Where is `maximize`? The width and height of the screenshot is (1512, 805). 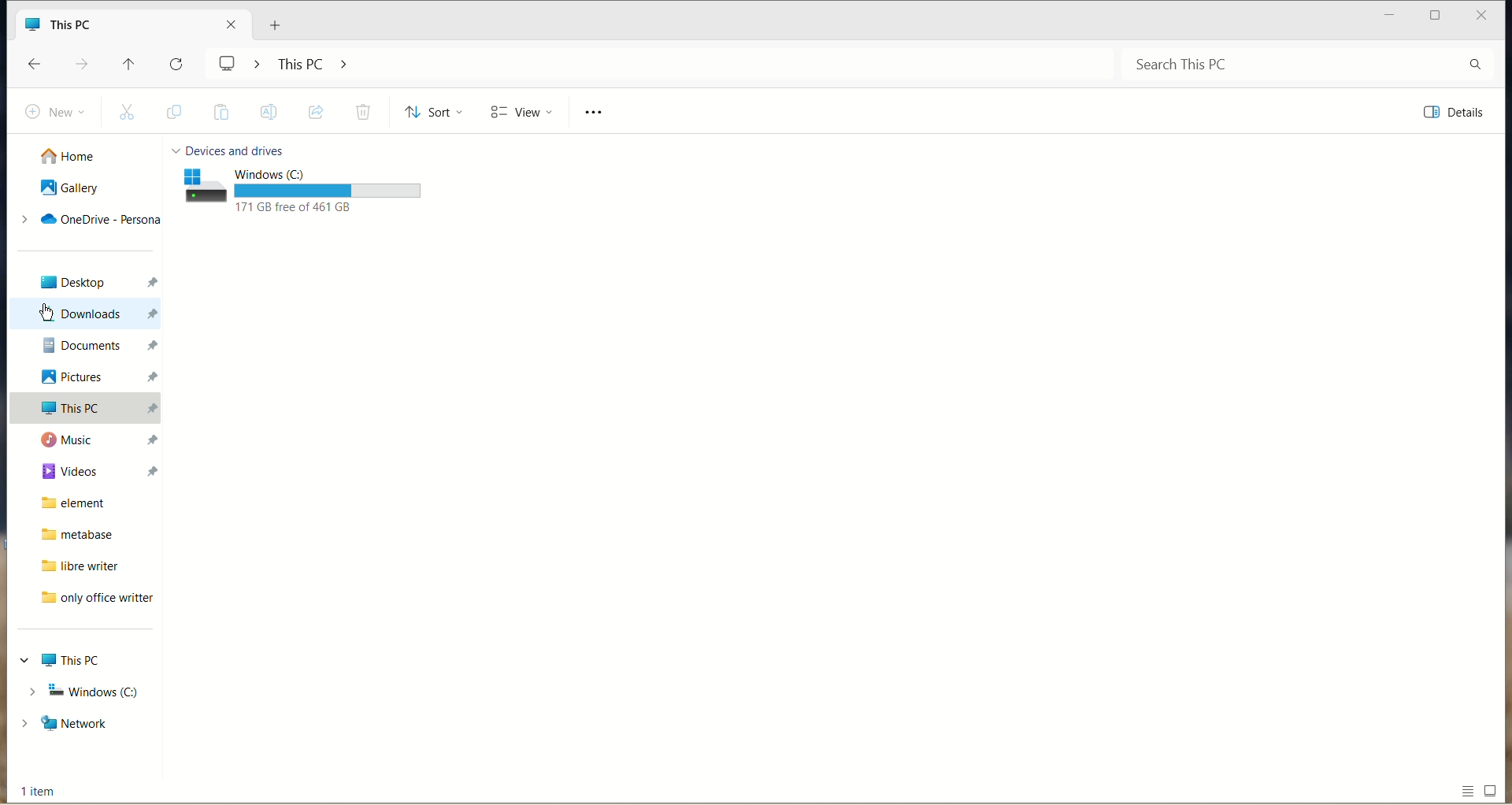
maximize is located at coordinates (1436, 18).